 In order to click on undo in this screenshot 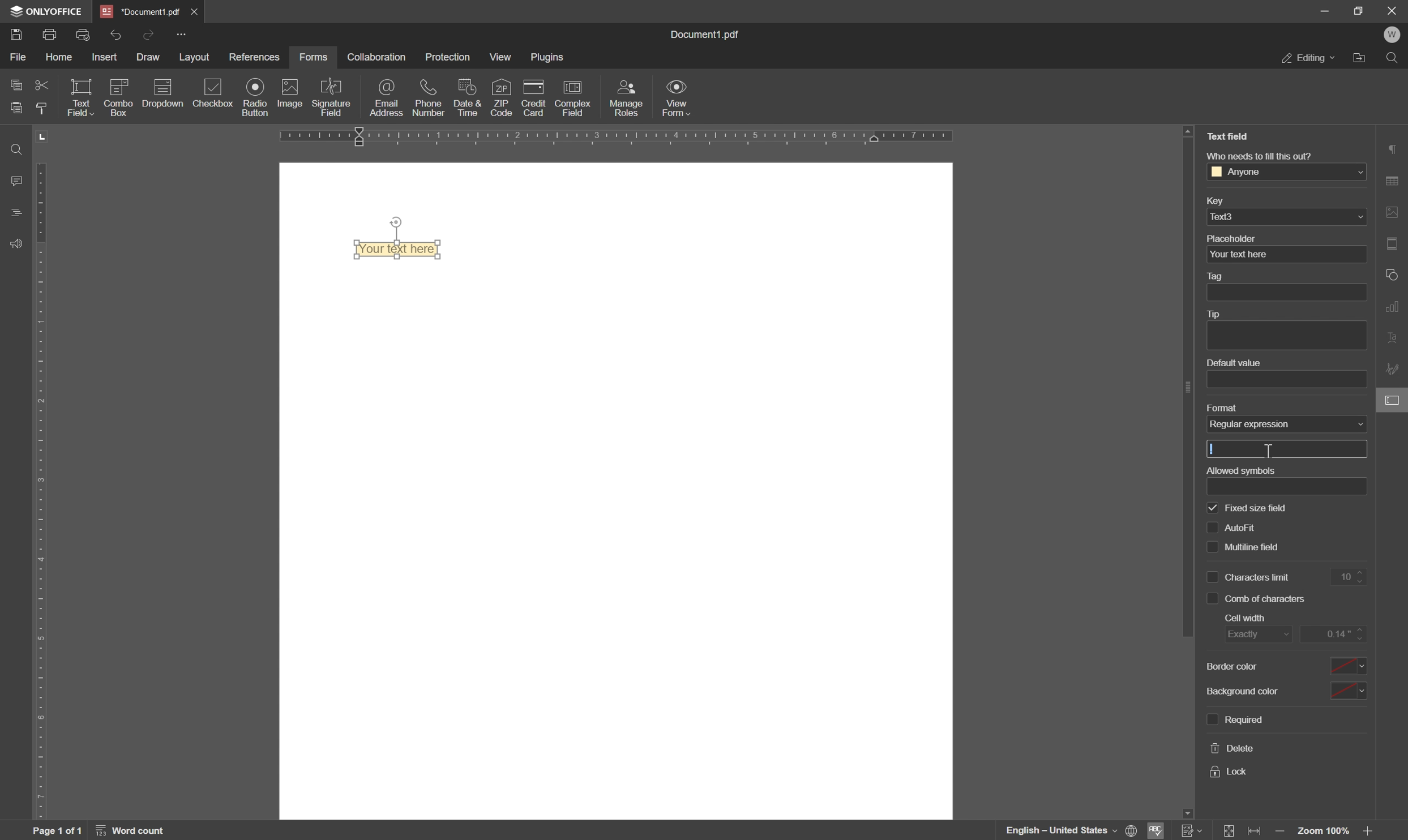, I will do `click(115, 34)`.